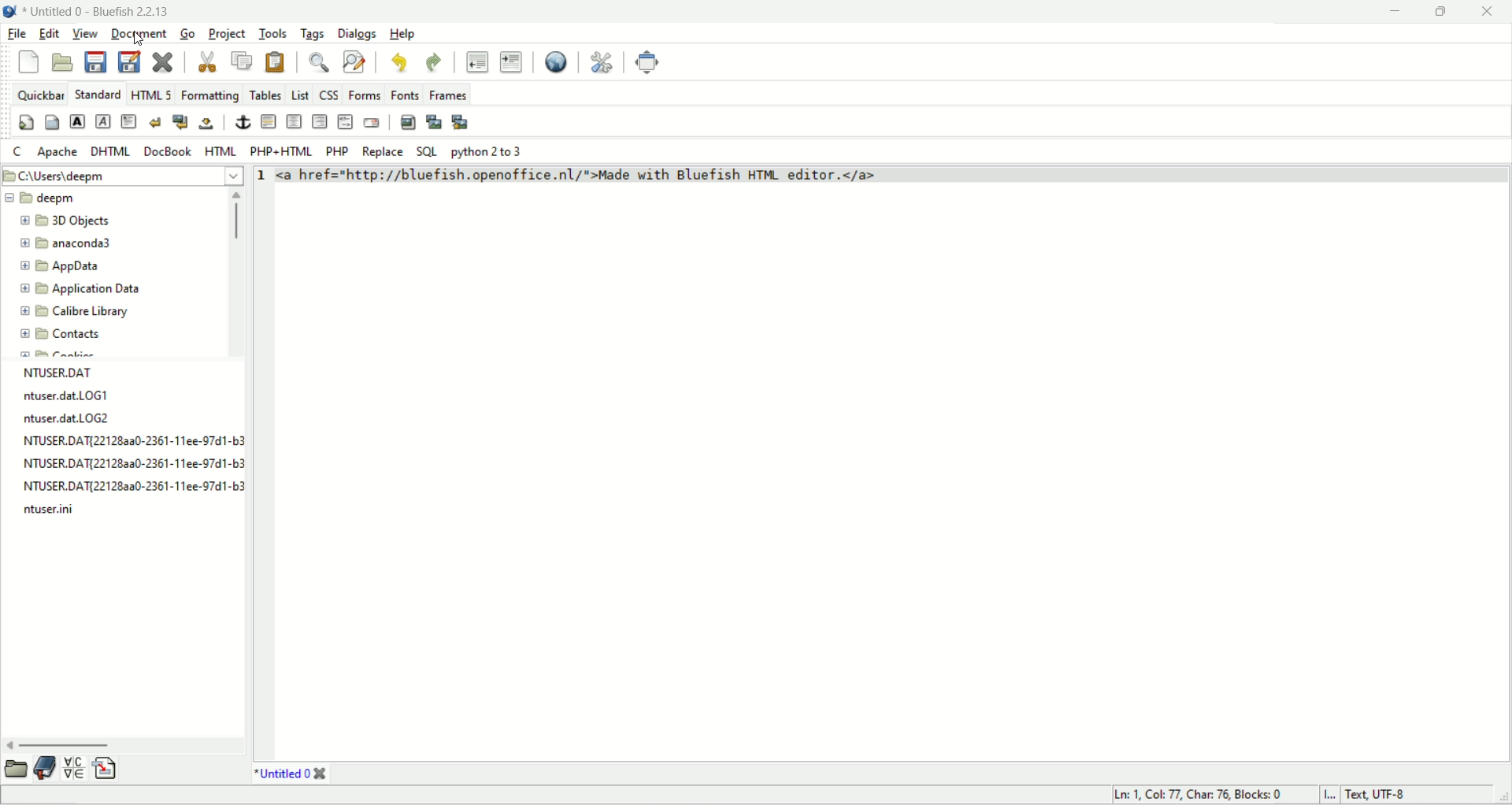  Describe the element at coordinates (130, 123) in the screenshot. I see `paragraph` at that location.